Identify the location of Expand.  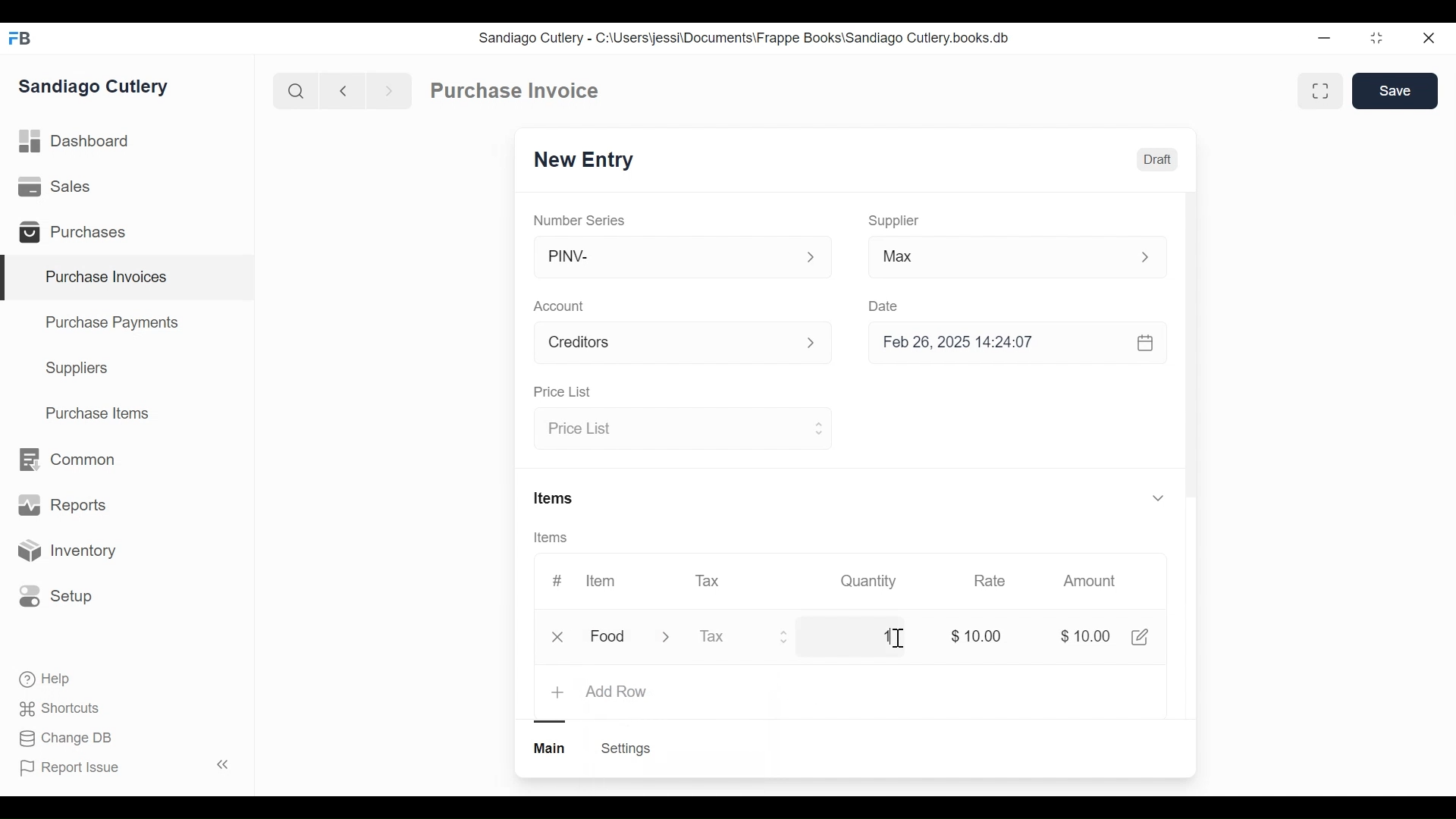
(1153, 257).